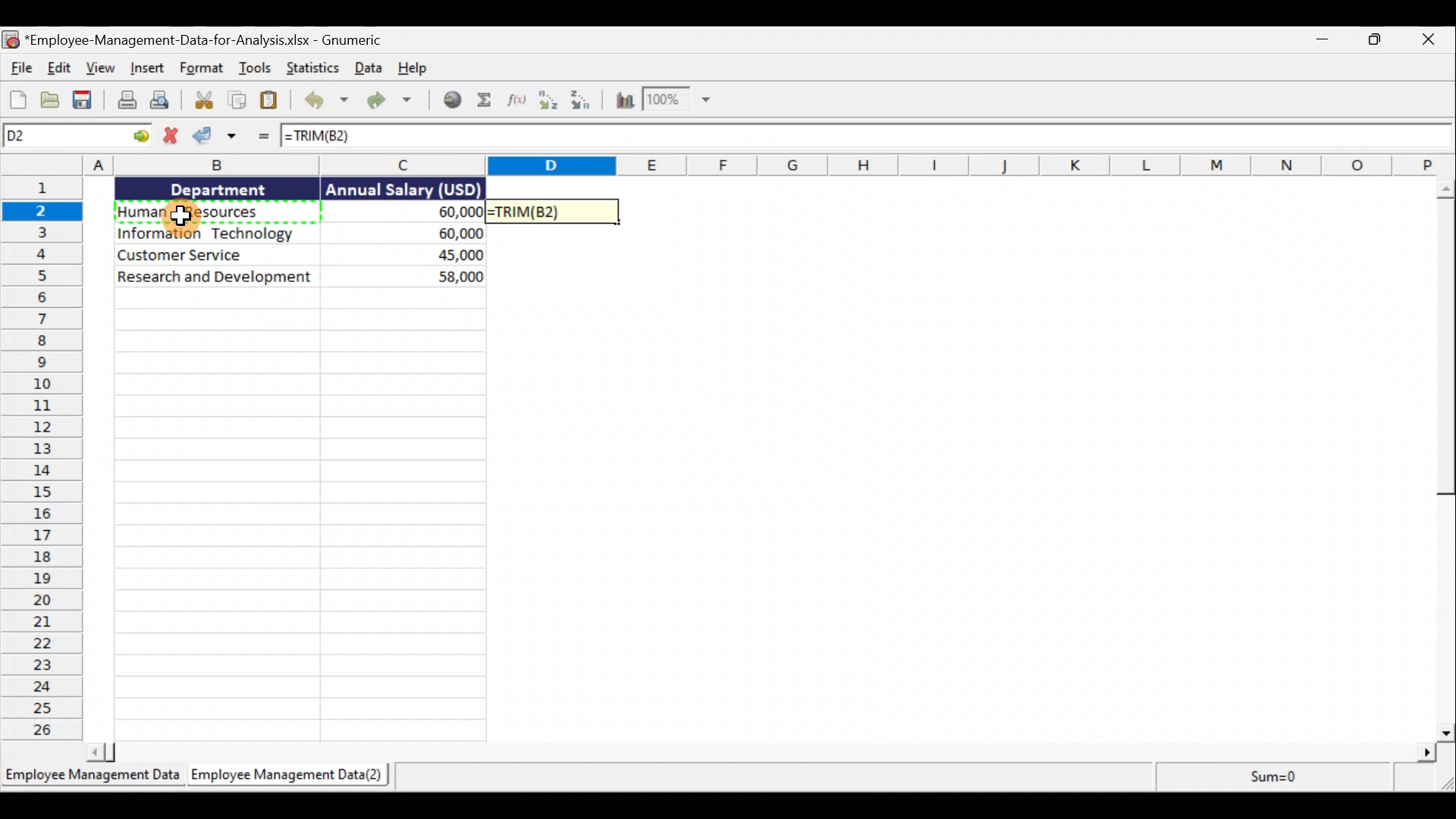 The width and height of the screenshot is (1456, 819). Describe the element at coordinates (275, 101) in the screenshot. I see `Paste the clipboard` at that location.